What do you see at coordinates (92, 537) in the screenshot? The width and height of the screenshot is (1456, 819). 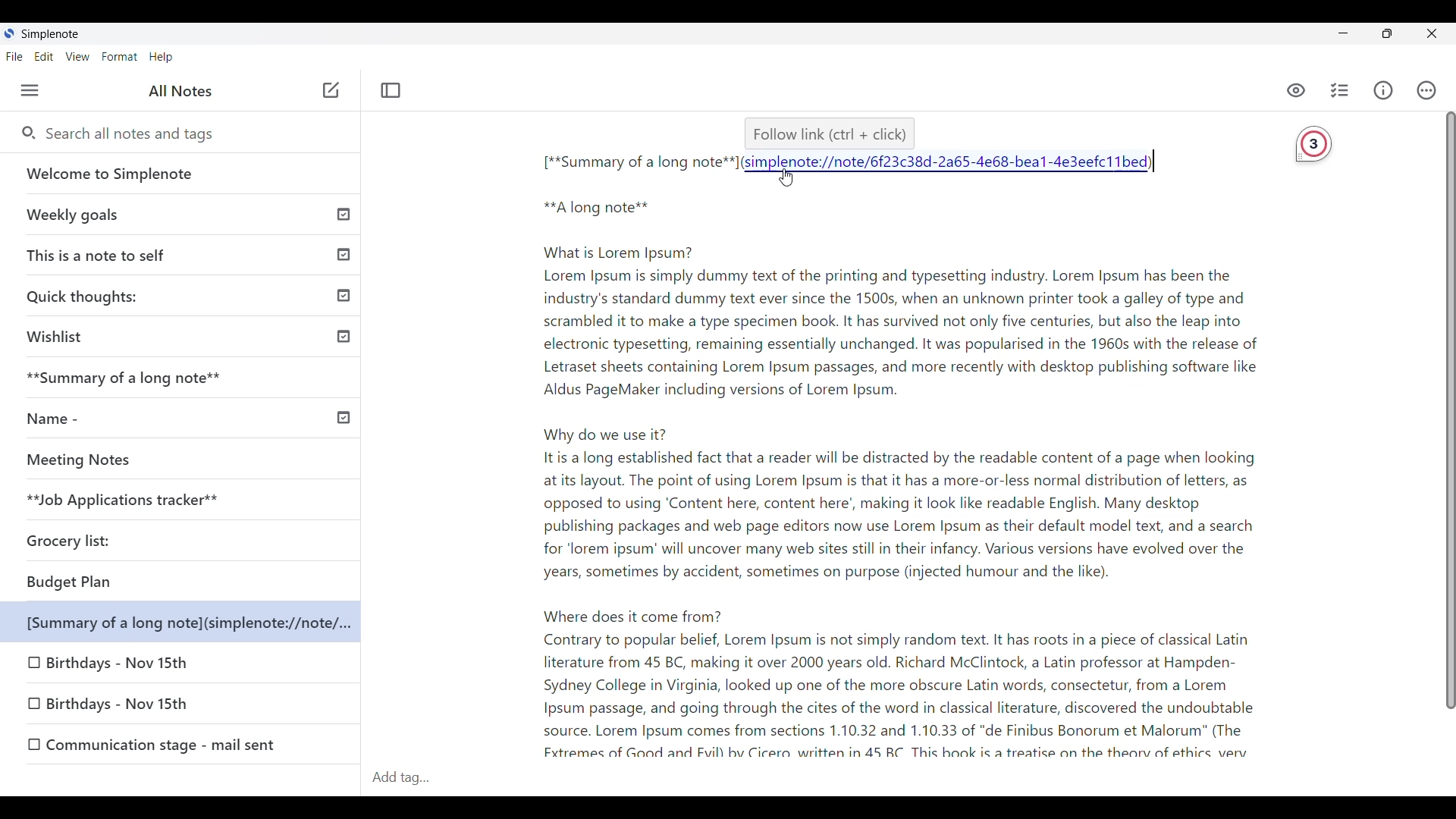 I see `Grocery list` at bounding box center [92, 537].